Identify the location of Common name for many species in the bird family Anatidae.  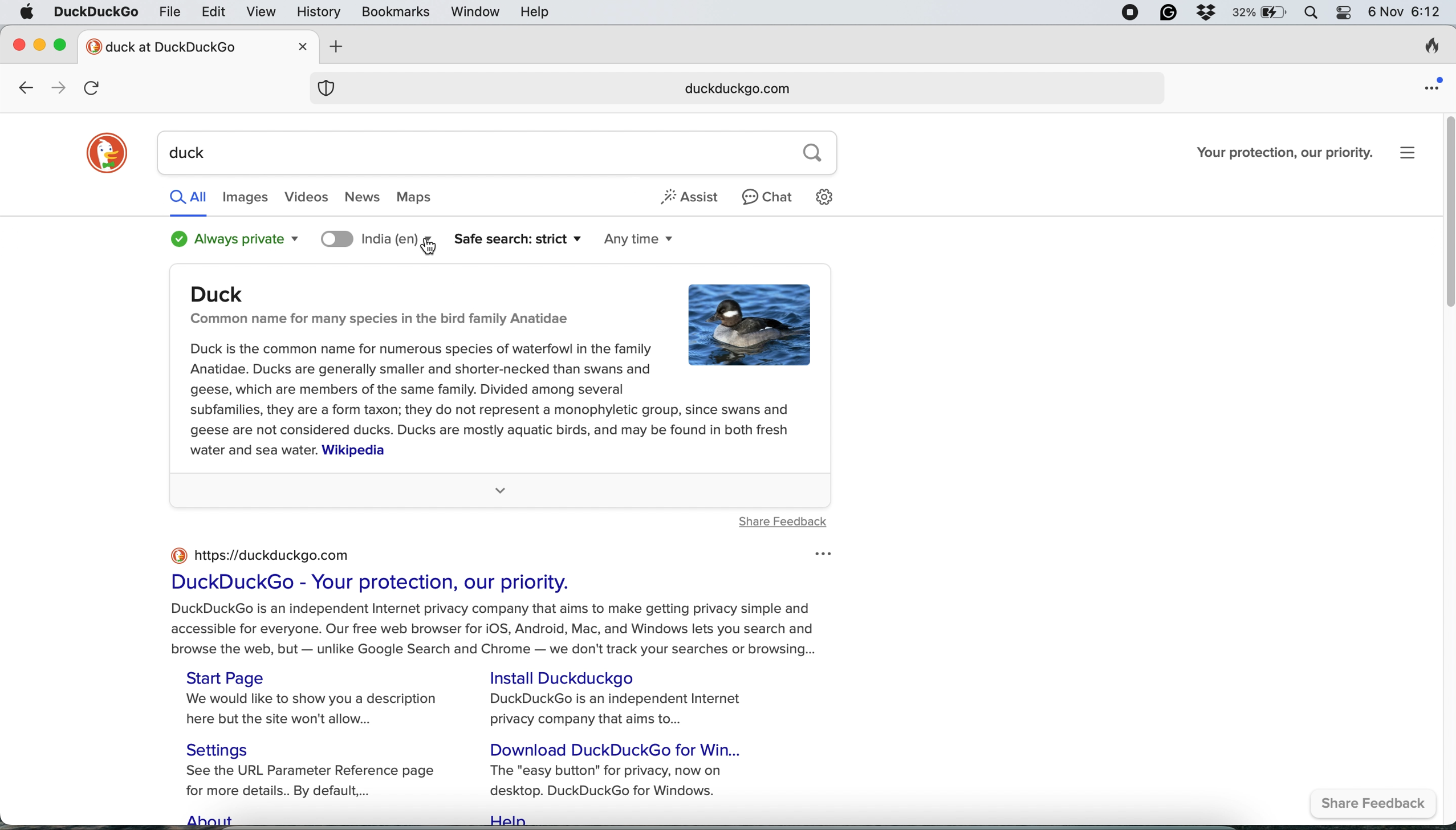
(380, 319).